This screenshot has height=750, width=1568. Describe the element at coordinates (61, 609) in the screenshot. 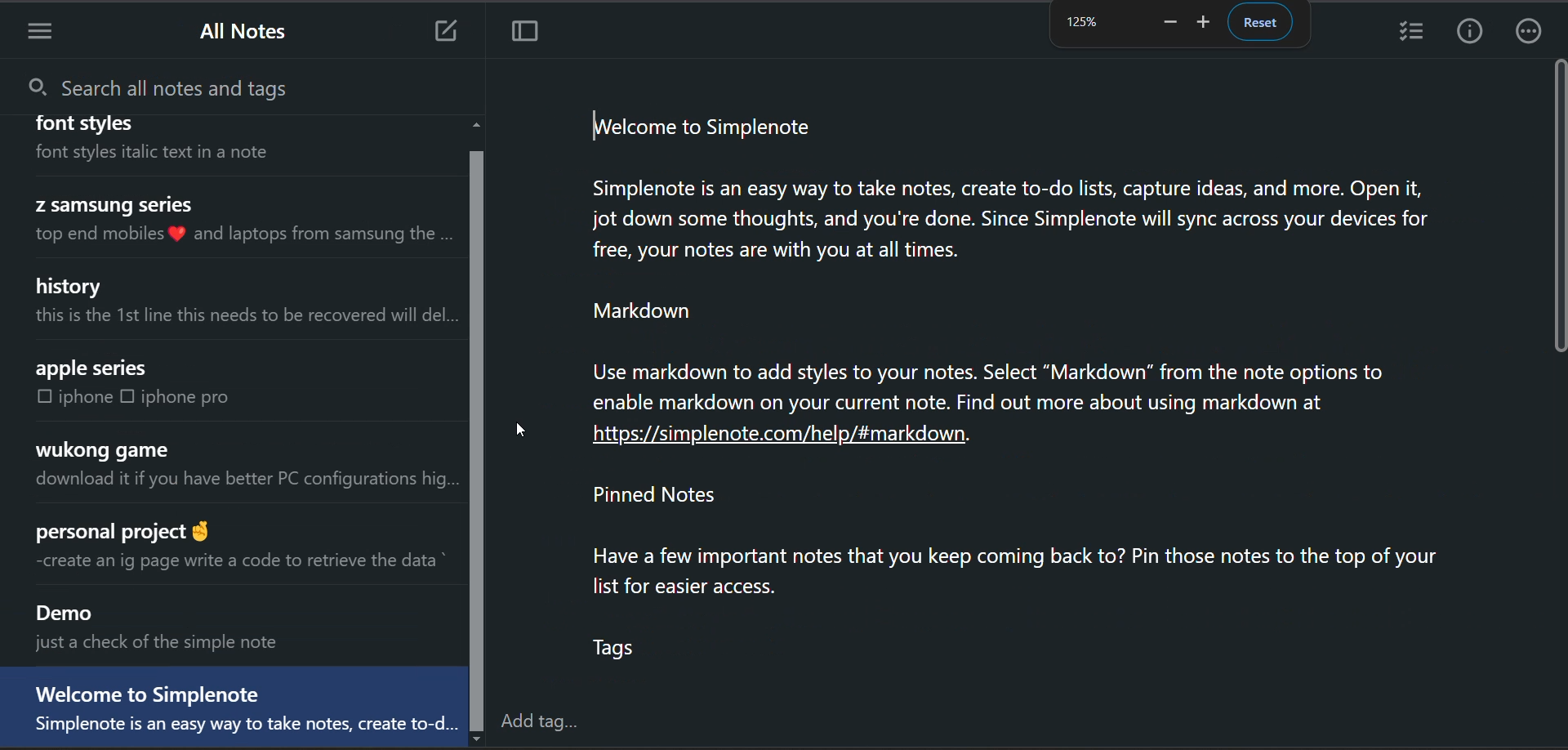

I see `Demo` at that location.